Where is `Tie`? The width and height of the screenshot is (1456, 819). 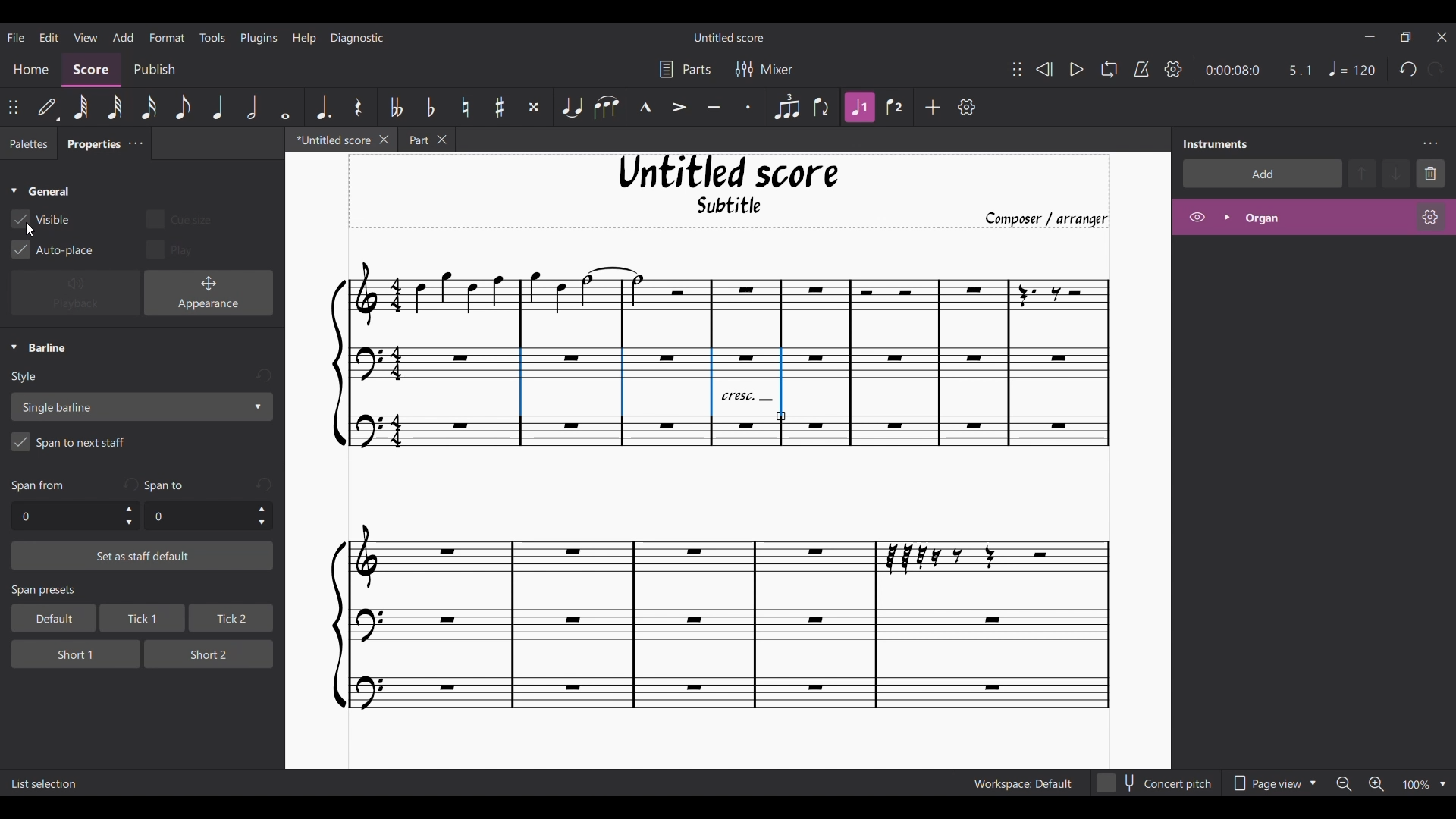 Tie is located at coordinates (571, 107).